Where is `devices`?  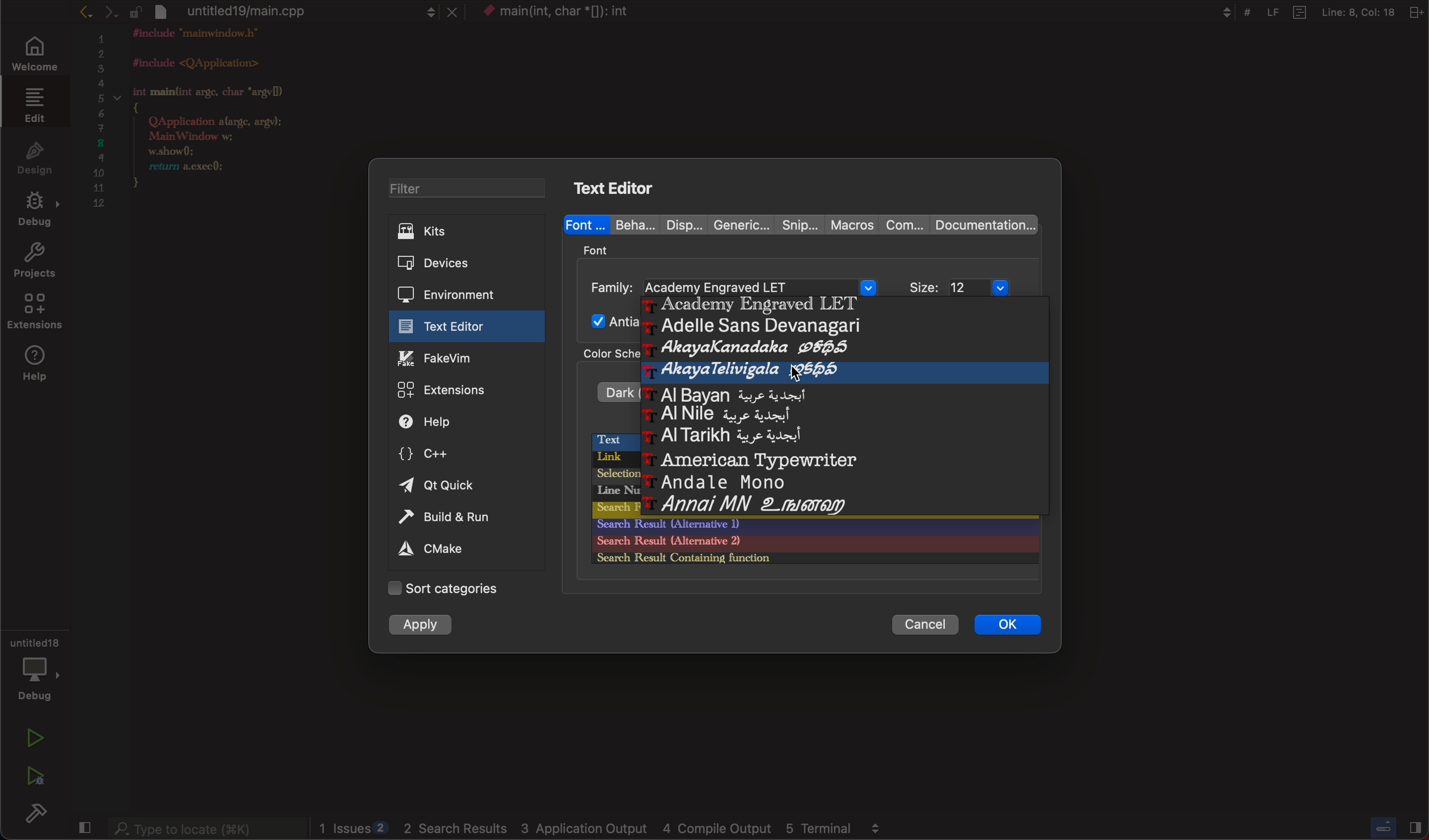
devices is located at coordinates (458, 264).